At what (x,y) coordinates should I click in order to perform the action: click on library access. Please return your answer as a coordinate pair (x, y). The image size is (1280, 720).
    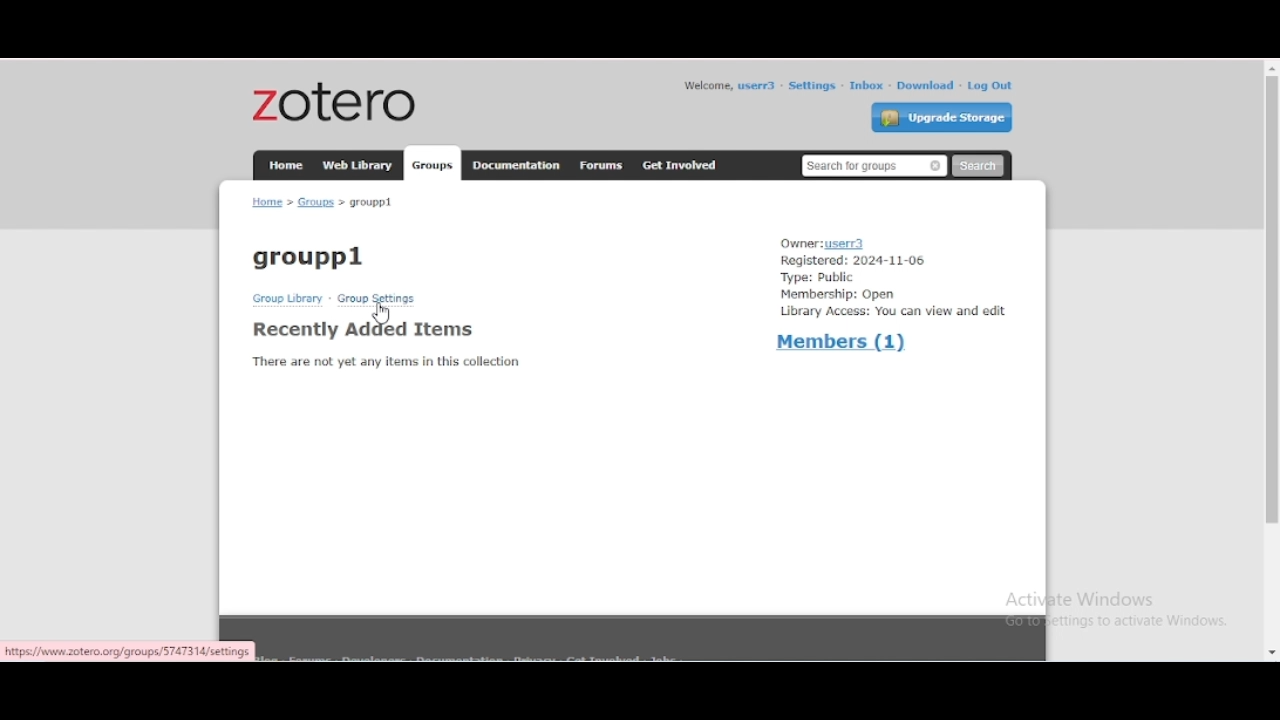
    Looking at the image, I should click on (893, 313).